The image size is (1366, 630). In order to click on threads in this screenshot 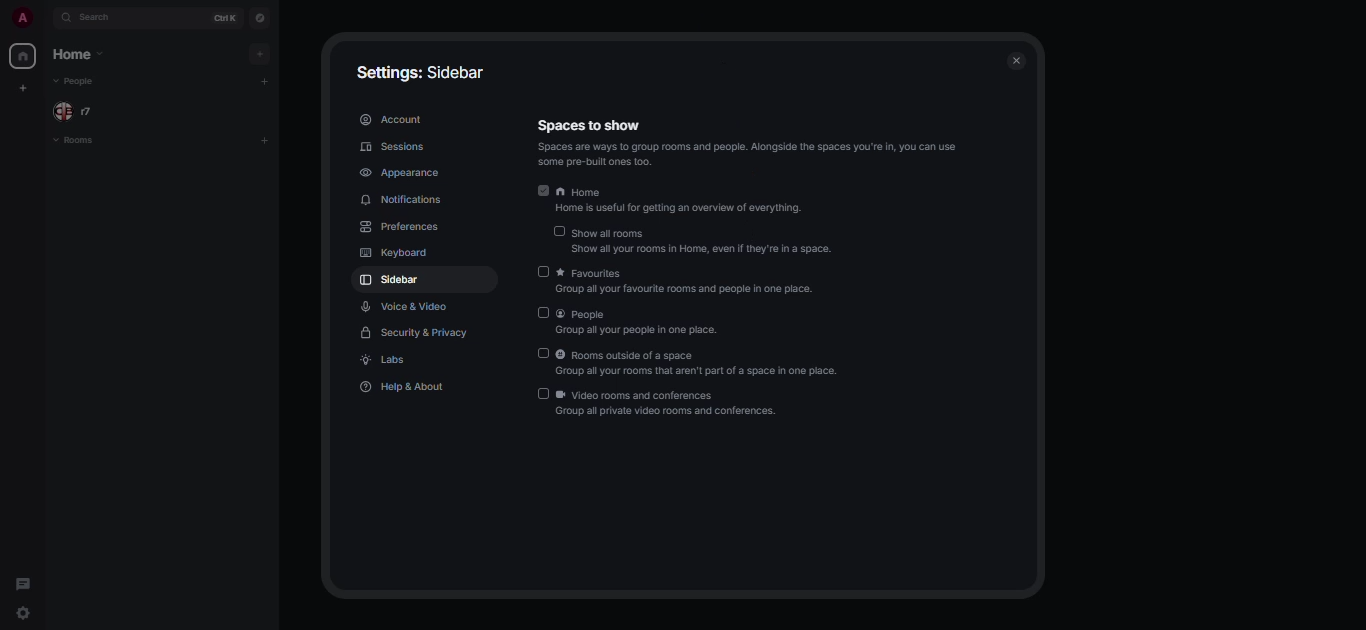, I will do `click(23, 586)`.